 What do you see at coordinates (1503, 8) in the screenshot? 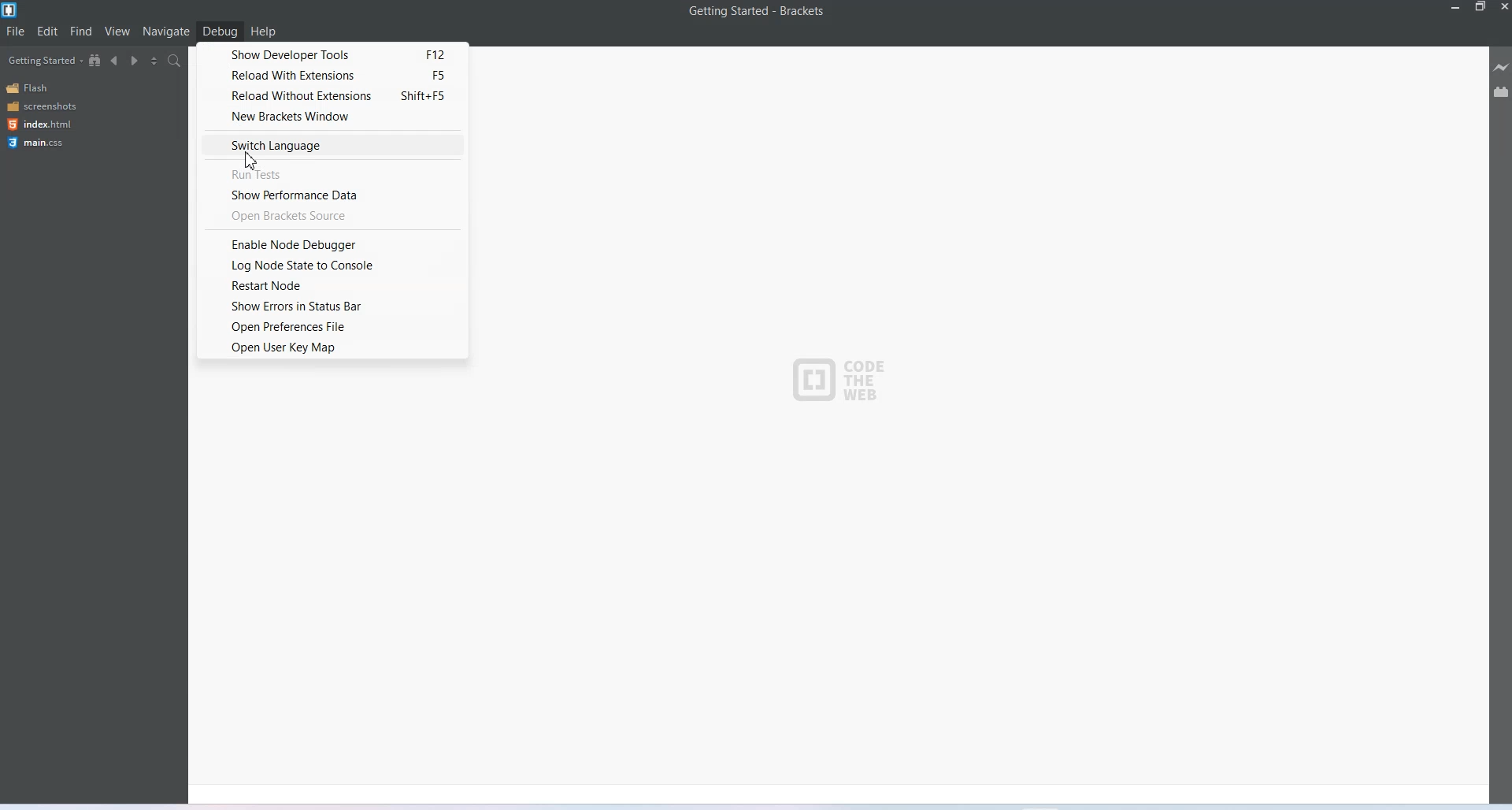
I see `Close` at bounding box center [1503, 8].